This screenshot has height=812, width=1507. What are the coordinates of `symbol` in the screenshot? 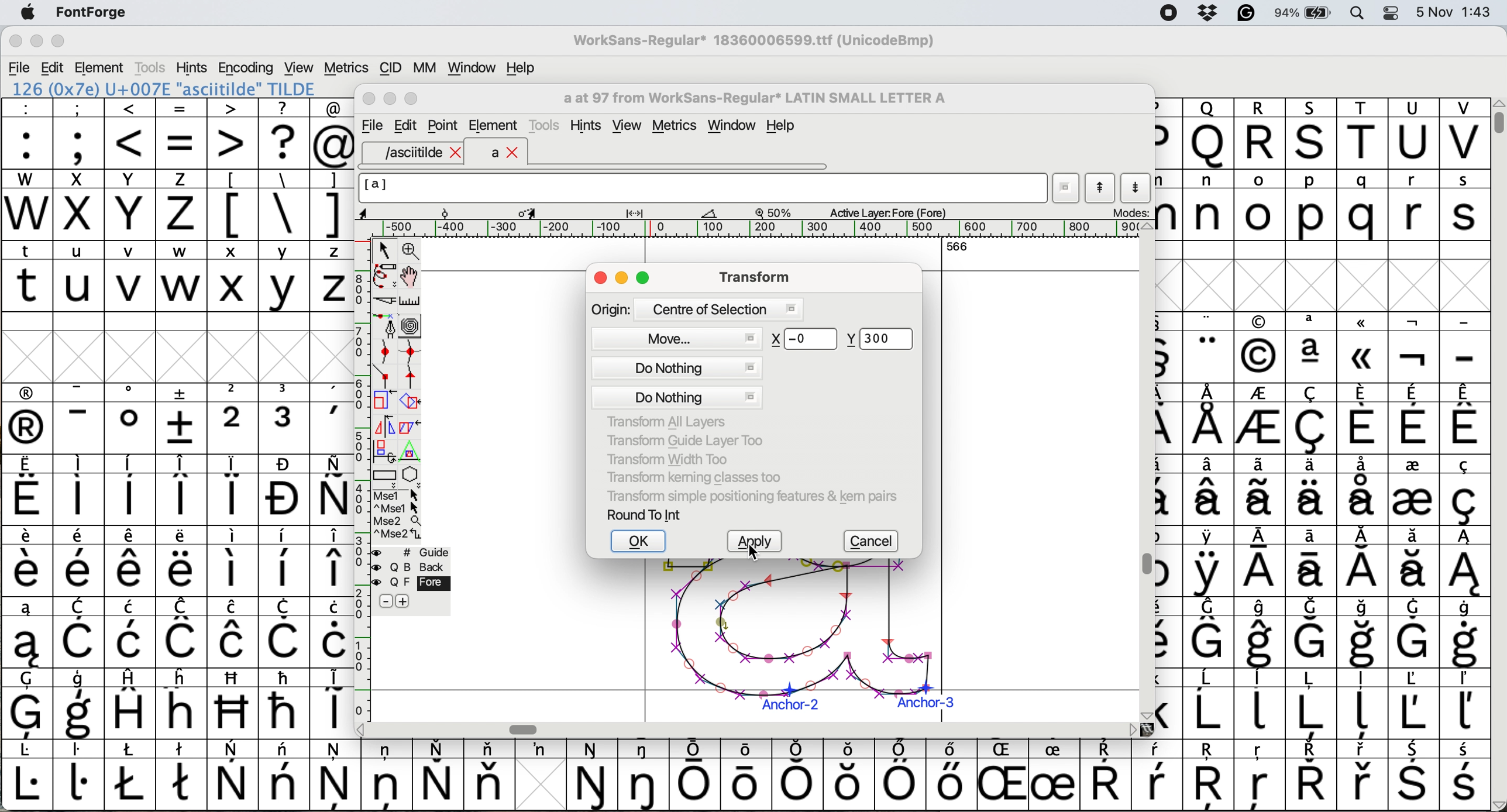 It's located at (1262, 490).